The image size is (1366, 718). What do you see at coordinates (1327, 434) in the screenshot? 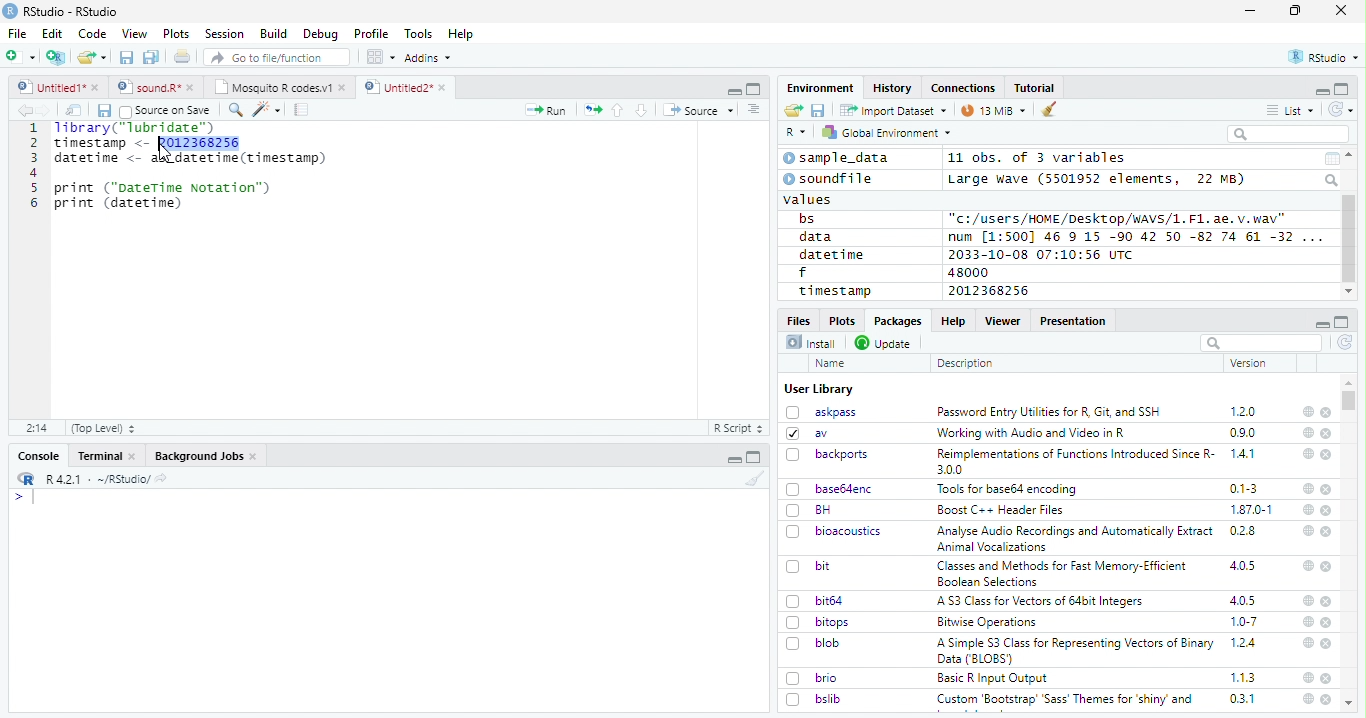
I see `close` at bounding box center [1327, 434].